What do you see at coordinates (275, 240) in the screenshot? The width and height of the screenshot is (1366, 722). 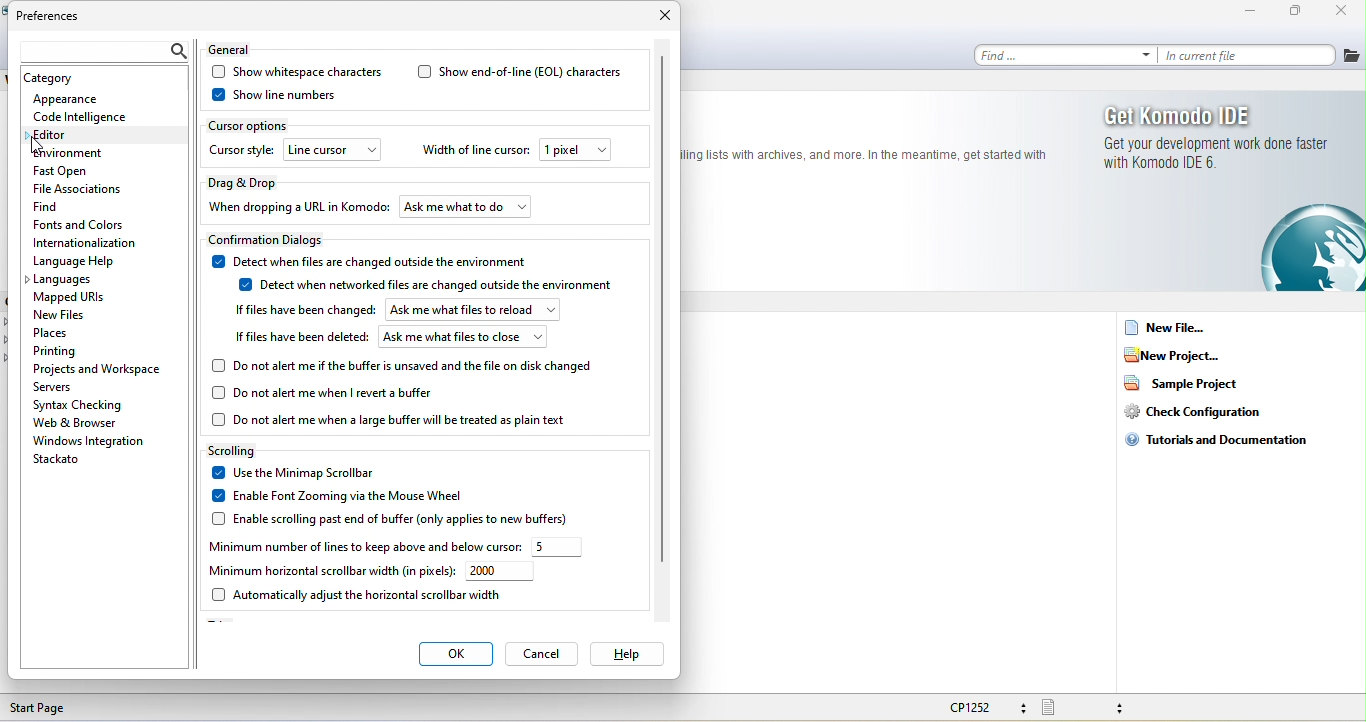 I see `conformation dialogs` at bounding box center [275, 240].